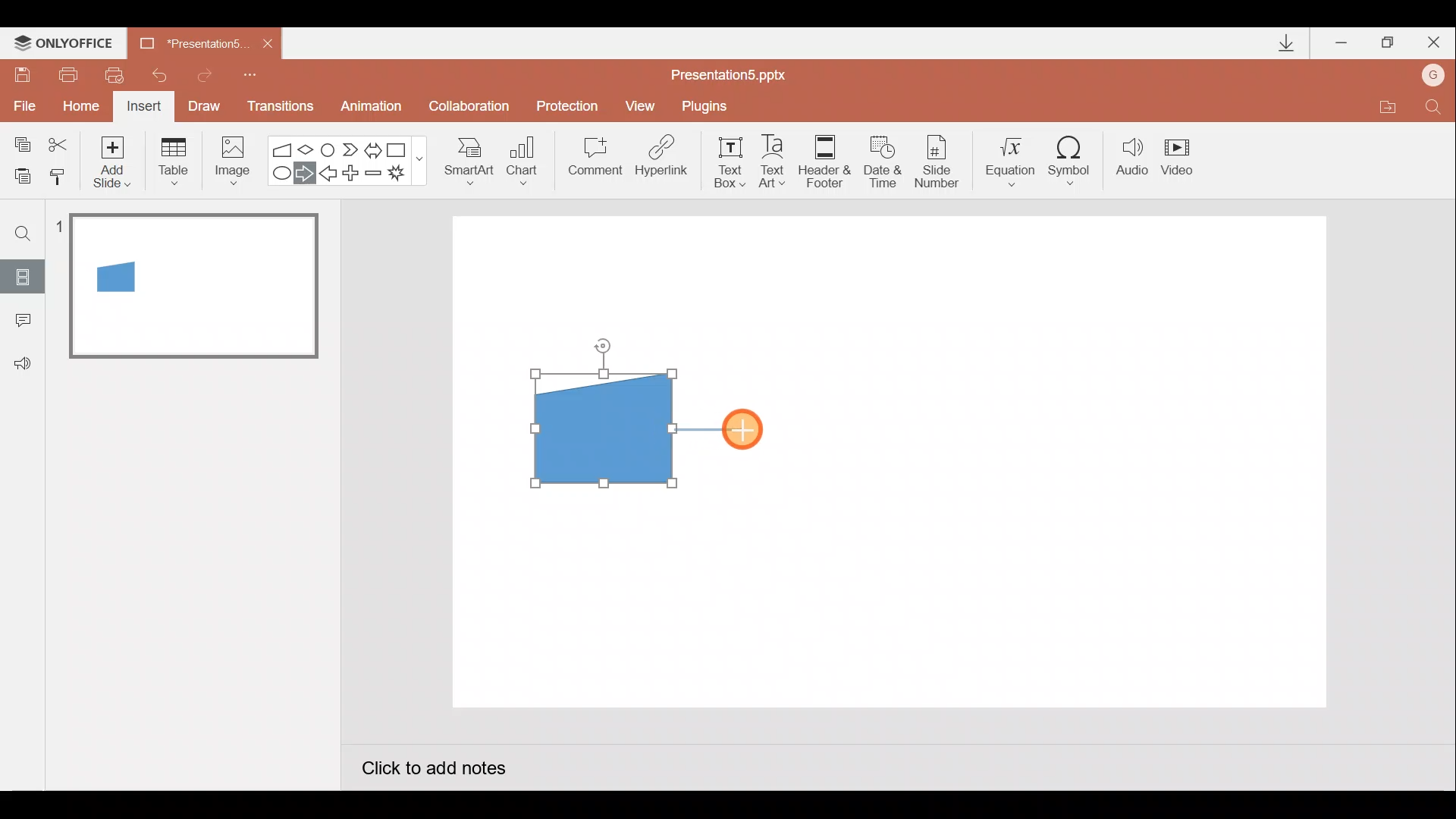 The image size is (1456, 819). What do you see at coordinates (24, 233) in the screenshot?
I see `Find` at bounding box center [24, 233].